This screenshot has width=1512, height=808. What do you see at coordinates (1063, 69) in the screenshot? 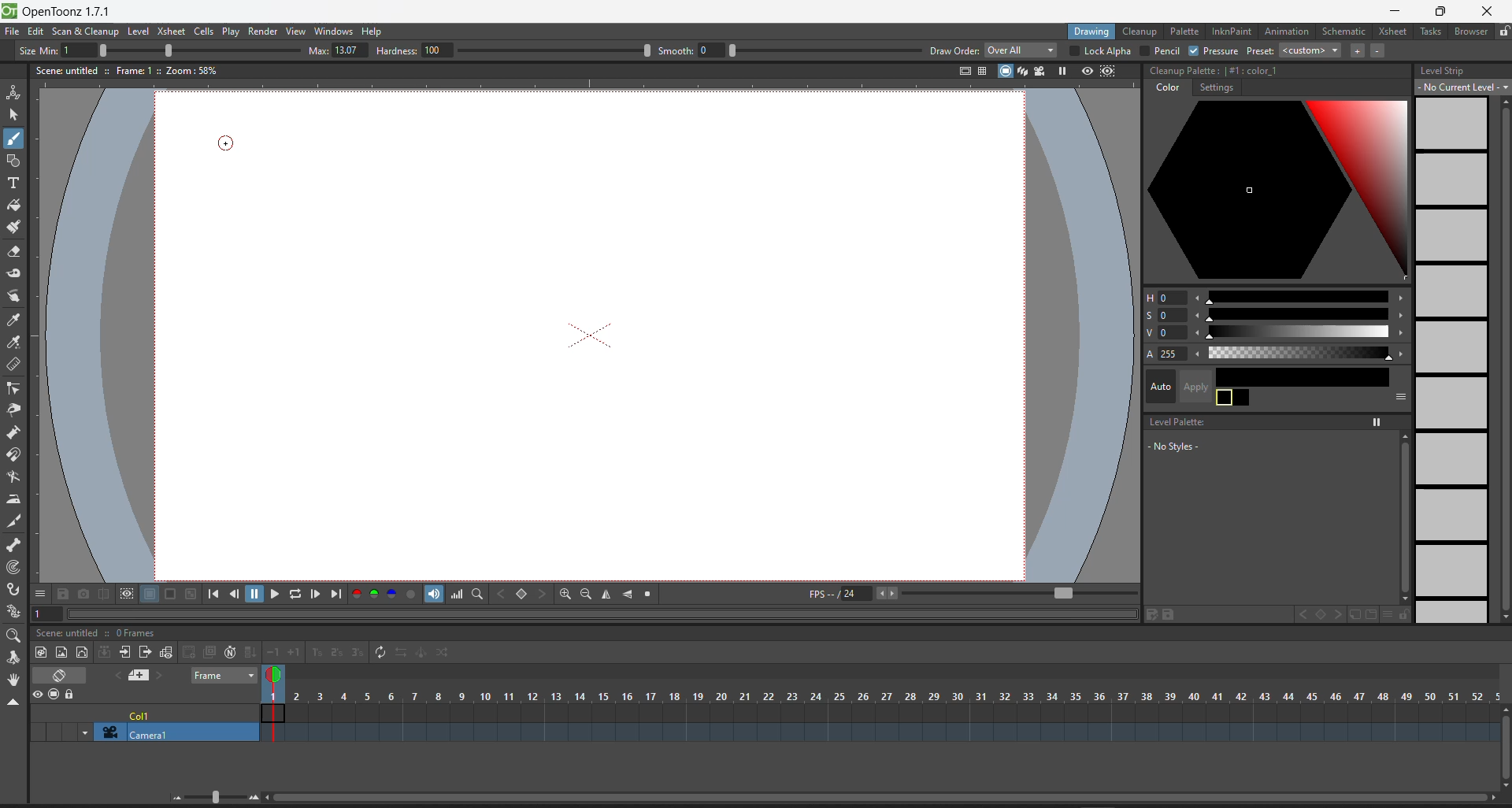
I see `freeze` at bounding box center [1063, 69].